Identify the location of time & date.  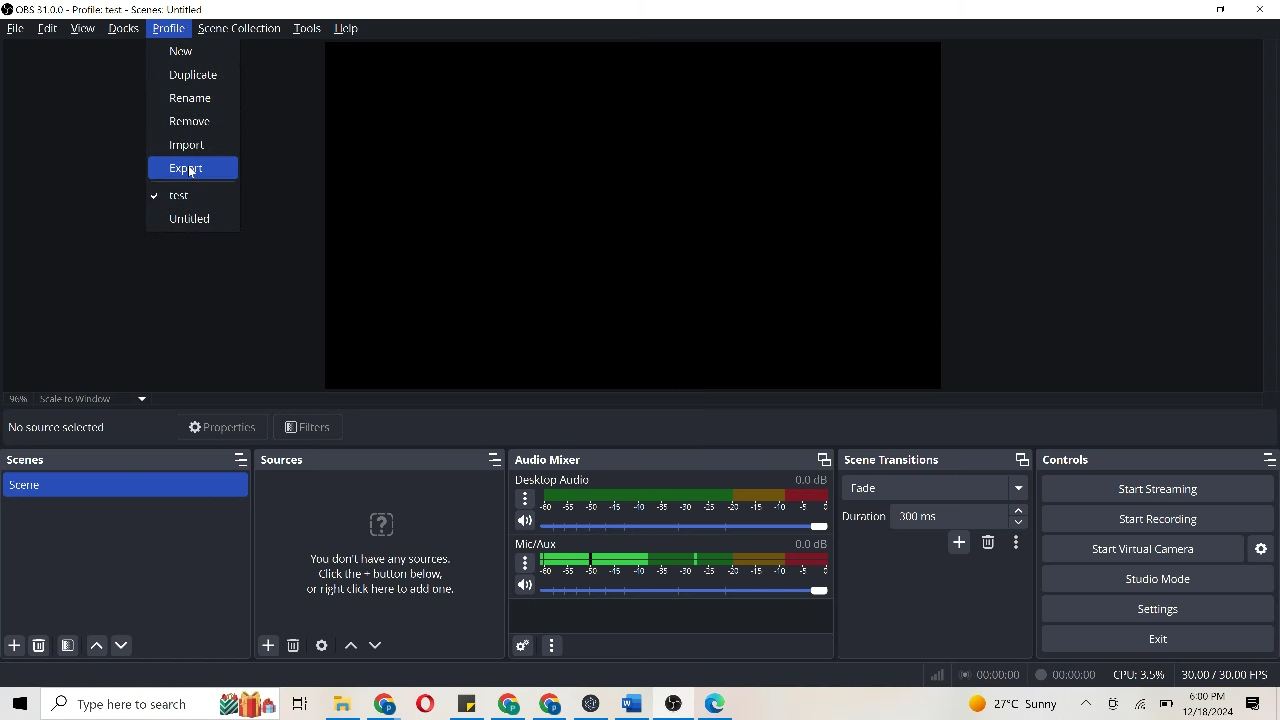
(1211, 704).